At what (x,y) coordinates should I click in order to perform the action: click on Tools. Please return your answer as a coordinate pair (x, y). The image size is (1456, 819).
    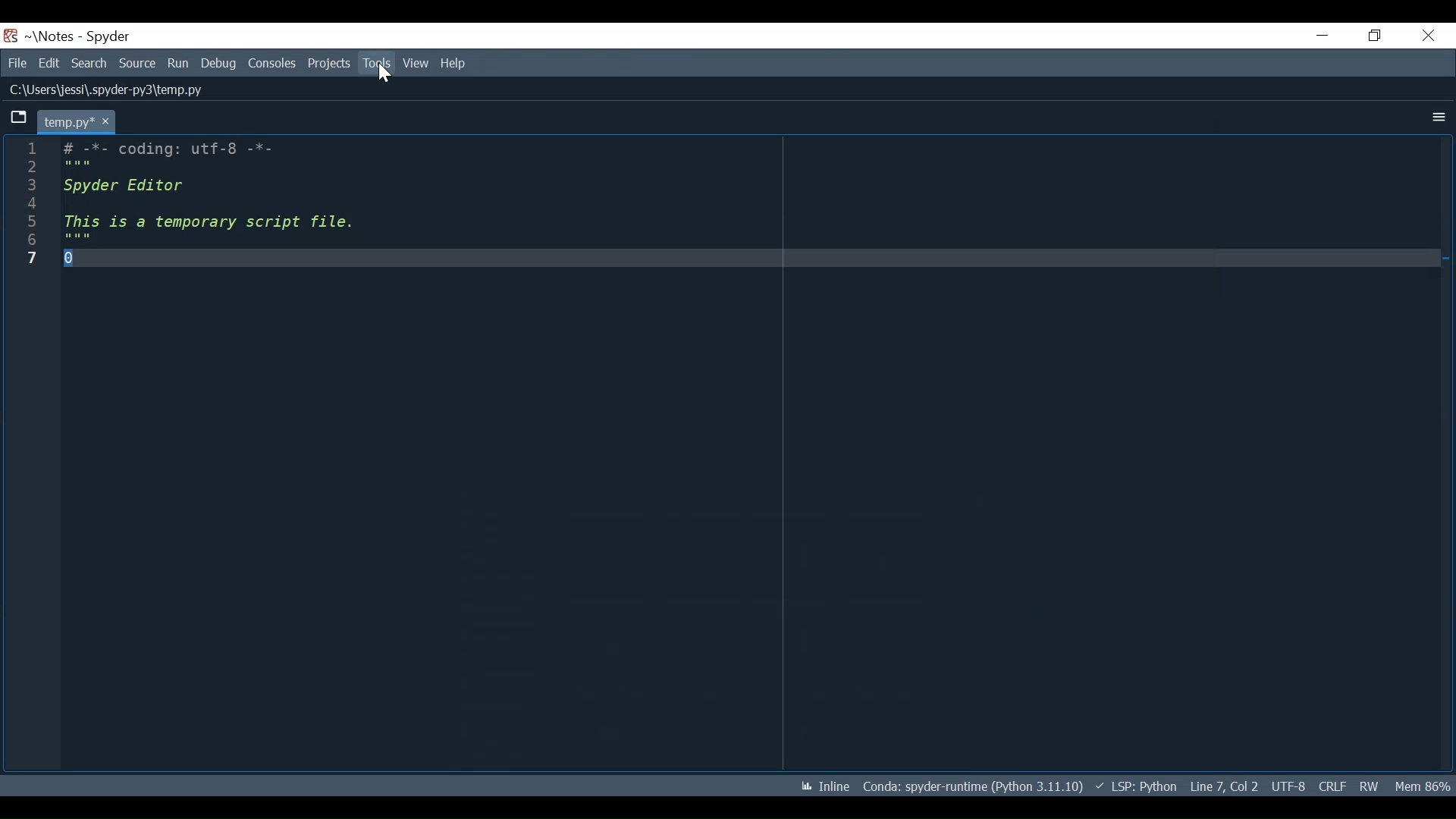
    Looking at the image, I should click on (378, 64).